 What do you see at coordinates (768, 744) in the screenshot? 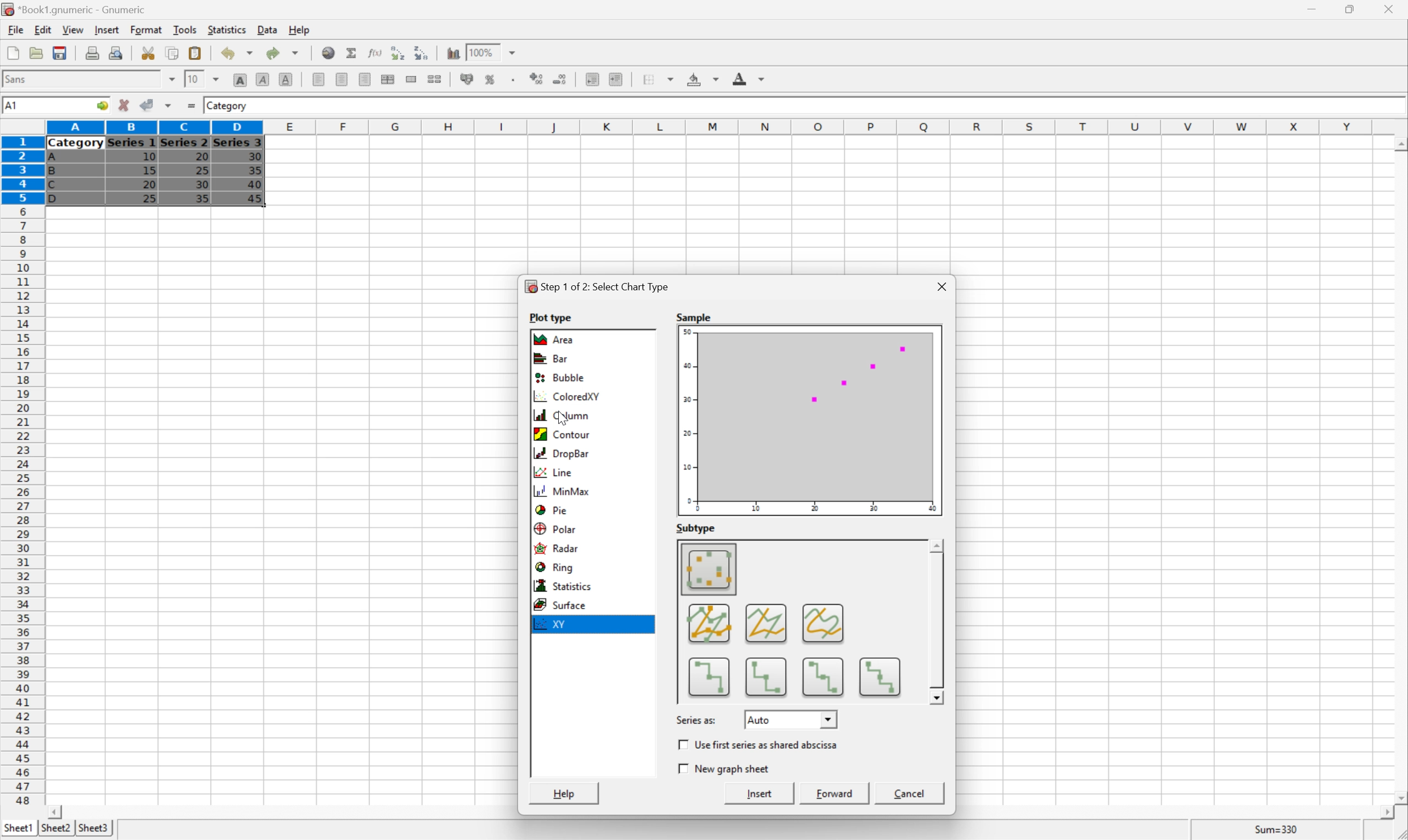
I see `Use first series as shared abscissa` at bounding box center [768, 744].